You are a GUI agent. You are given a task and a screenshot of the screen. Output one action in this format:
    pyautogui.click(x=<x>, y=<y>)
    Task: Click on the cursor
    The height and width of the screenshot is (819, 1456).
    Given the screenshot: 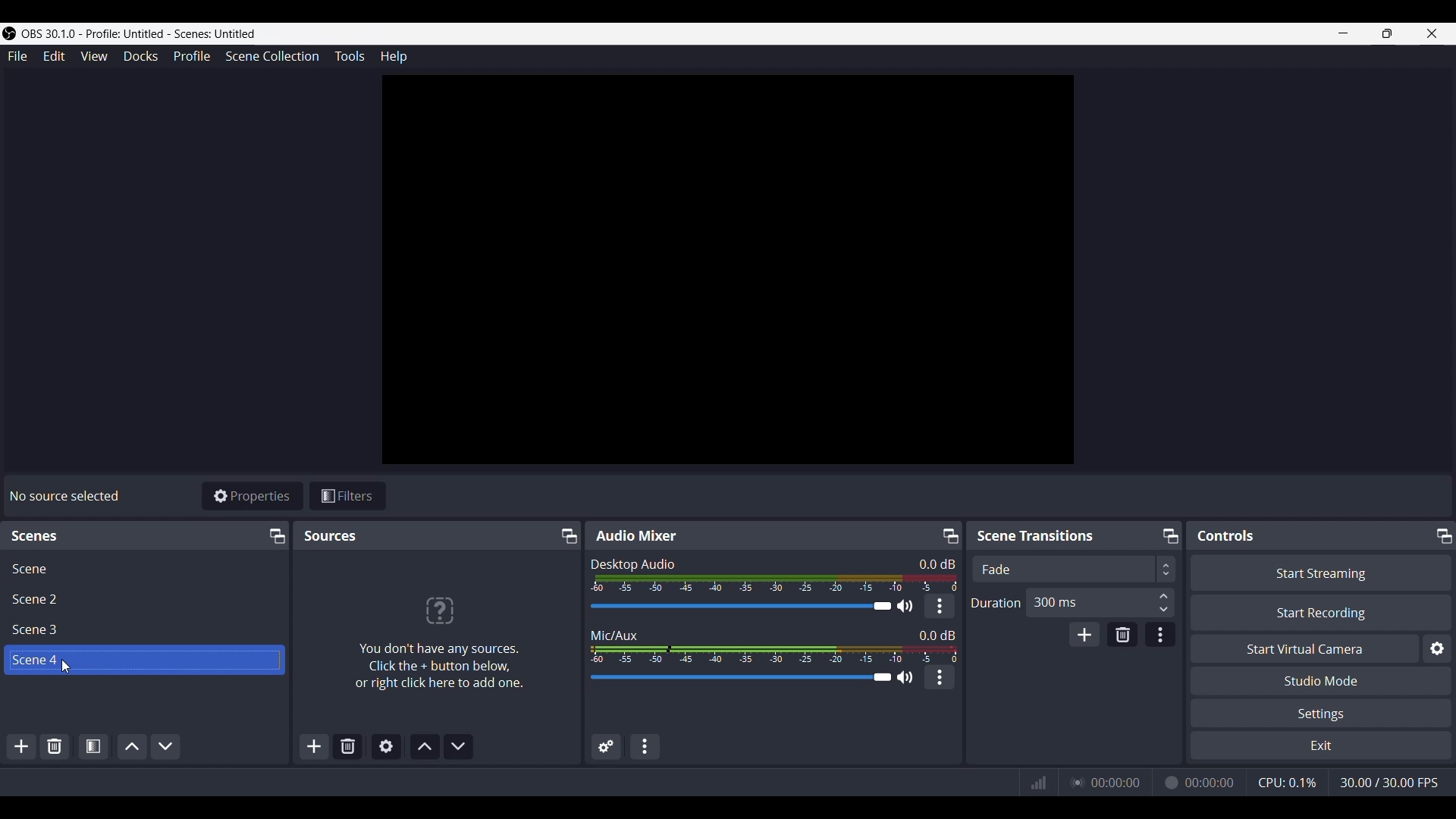 What is the action you would take?
    pyautogui.click(x=69, y=666)
    